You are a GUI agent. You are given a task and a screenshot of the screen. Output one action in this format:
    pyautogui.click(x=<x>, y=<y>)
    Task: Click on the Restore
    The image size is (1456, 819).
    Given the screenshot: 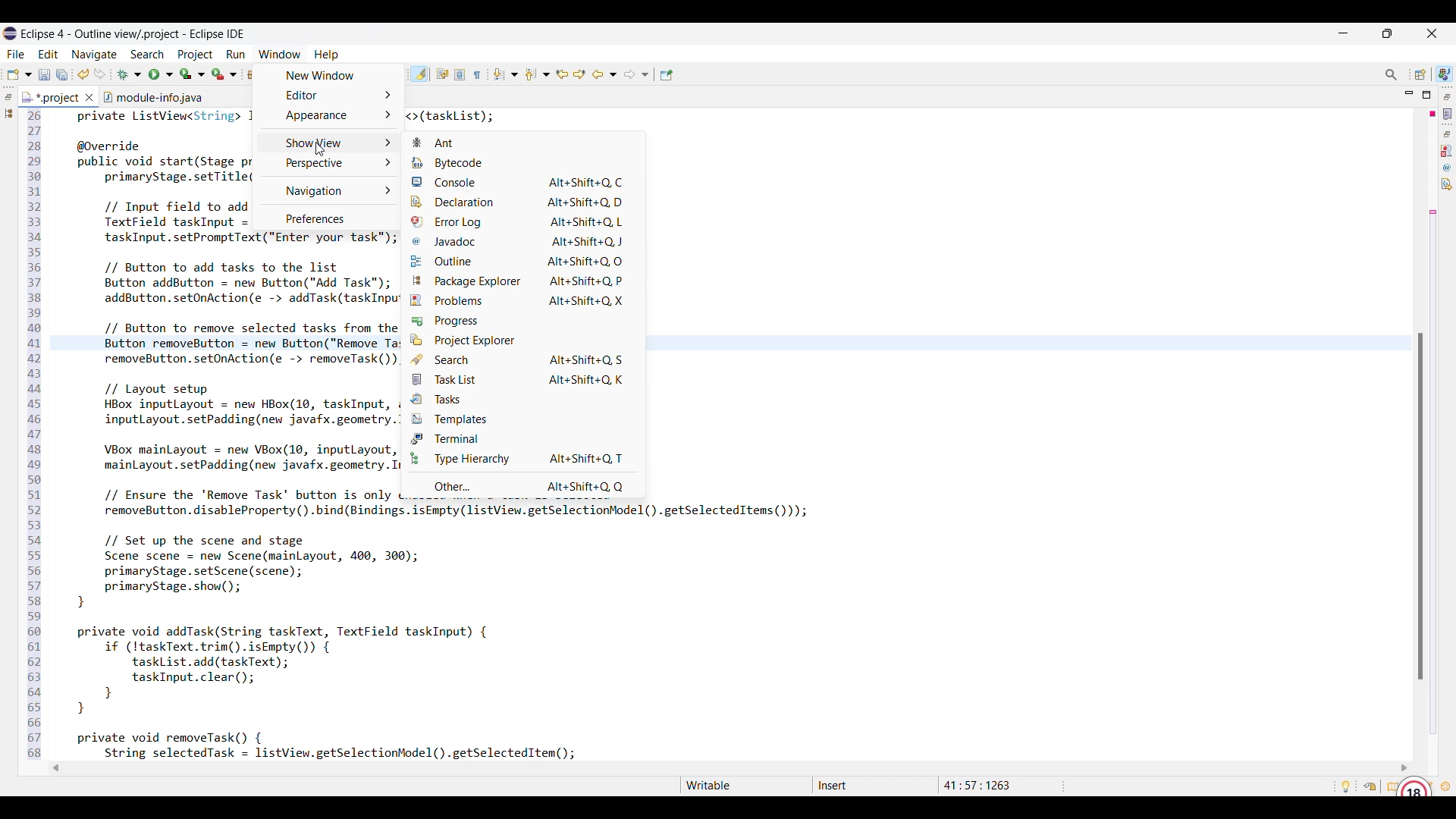 What is the action you would take?
    pyautogui.click(x=1448, y=134)
    